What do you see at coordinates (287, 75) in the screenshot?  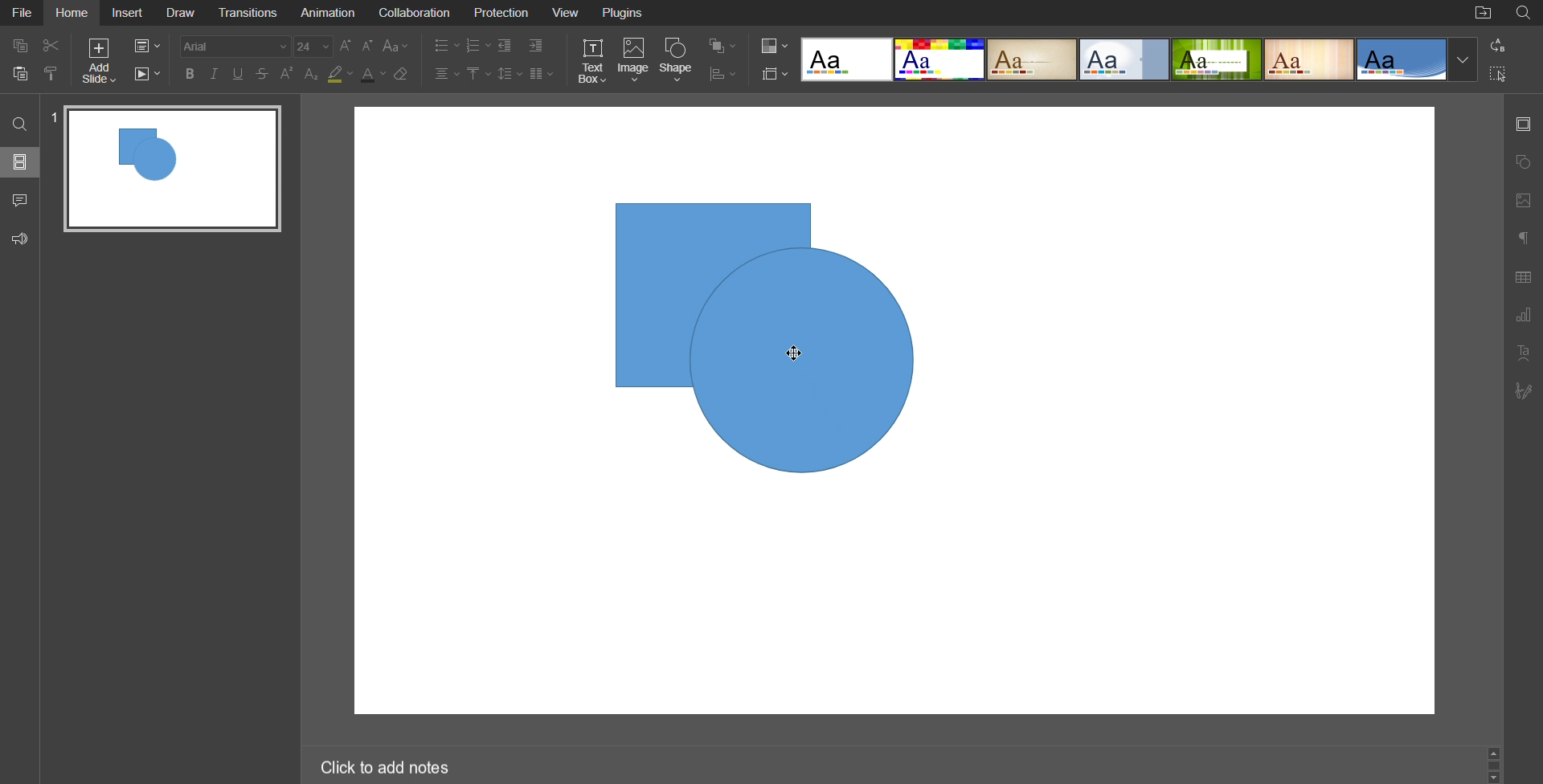 I see `Superscript` at bounding box center [287, 75].